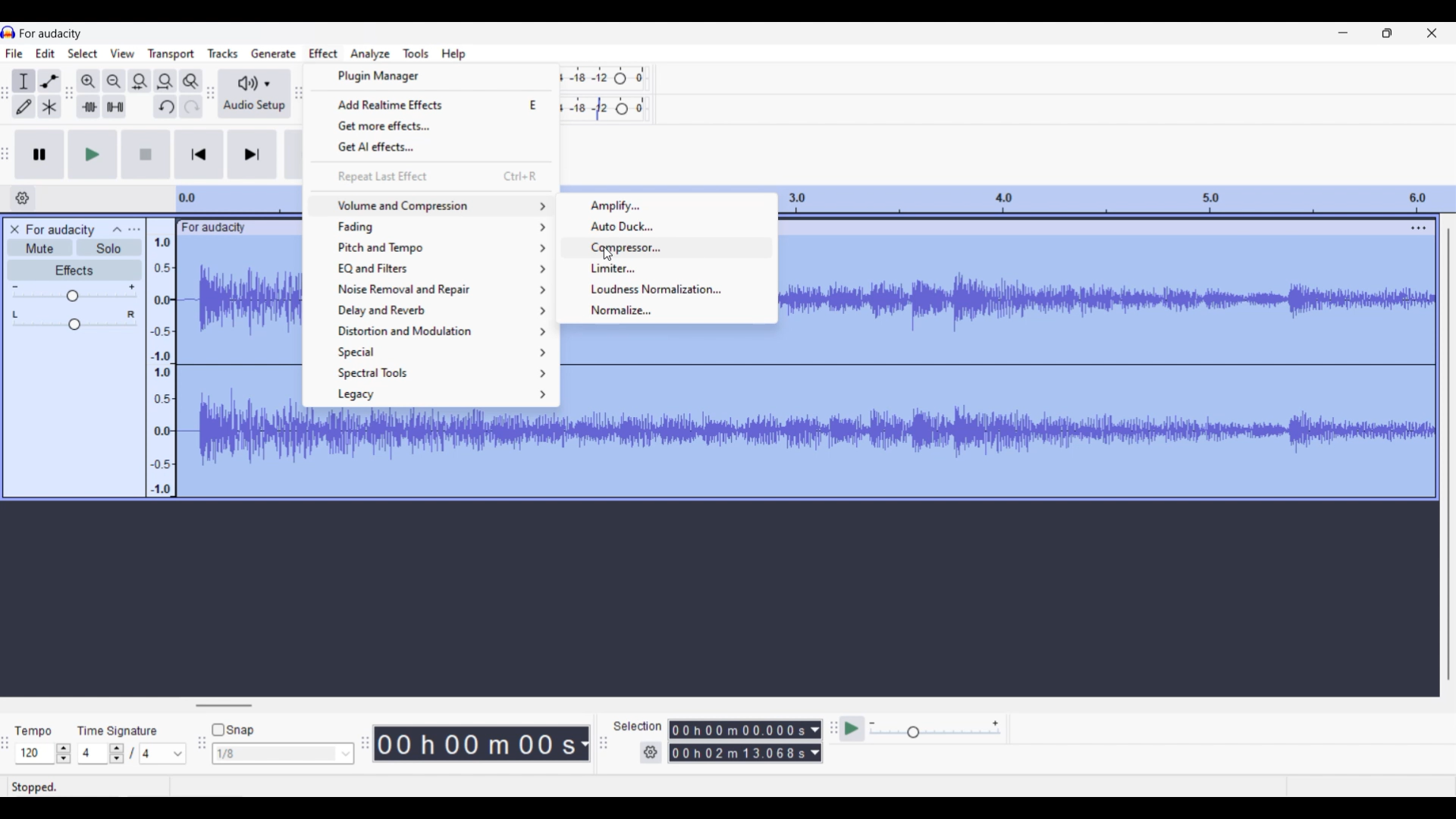 This screenshot has width=1456, height=819. I want to click on Settings, so click(651, 752).